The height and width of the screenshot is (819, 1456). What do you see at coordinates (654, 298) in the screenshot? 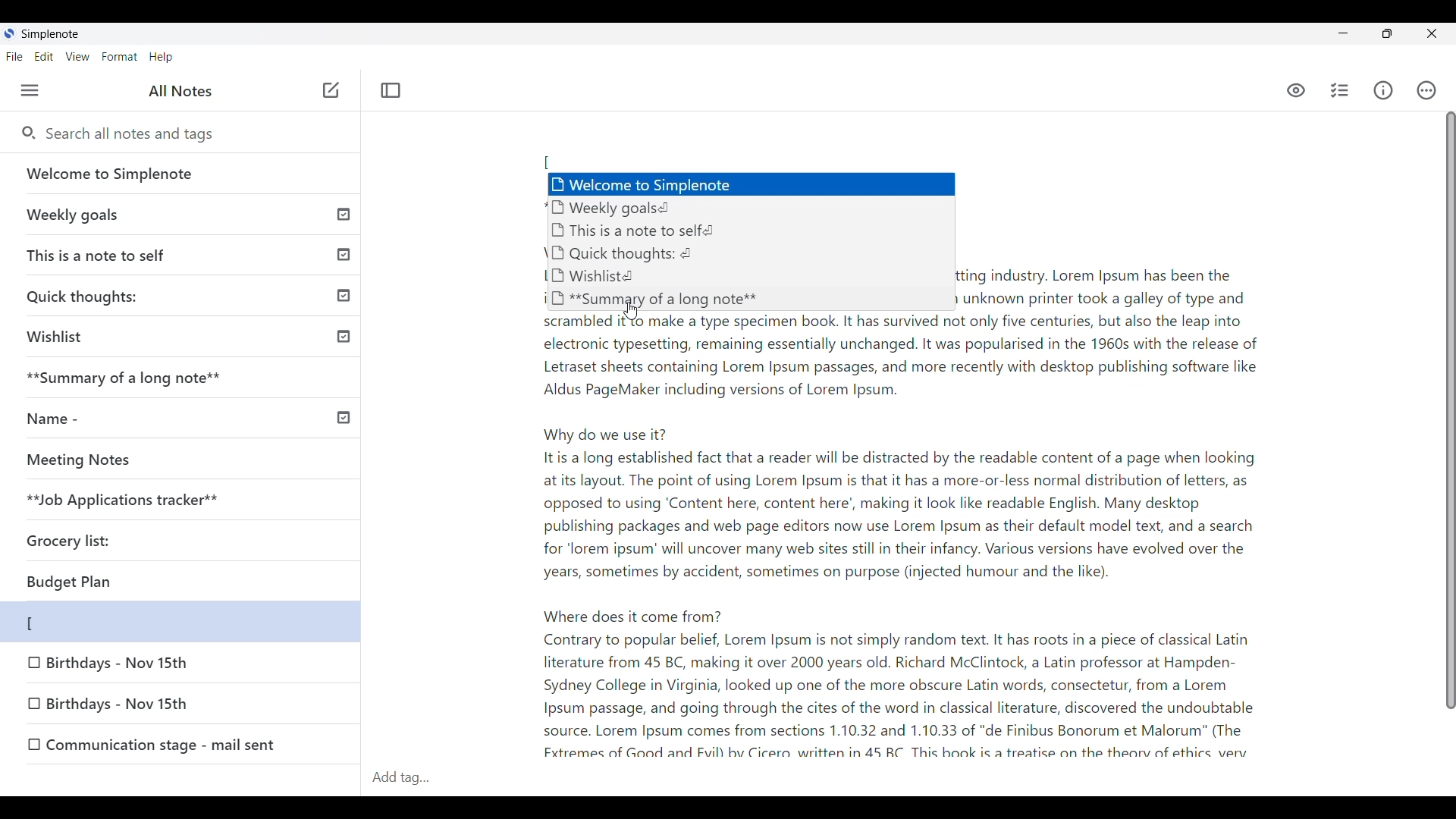
I see `**Summary of a long note**` at bounding box center [654, 298].